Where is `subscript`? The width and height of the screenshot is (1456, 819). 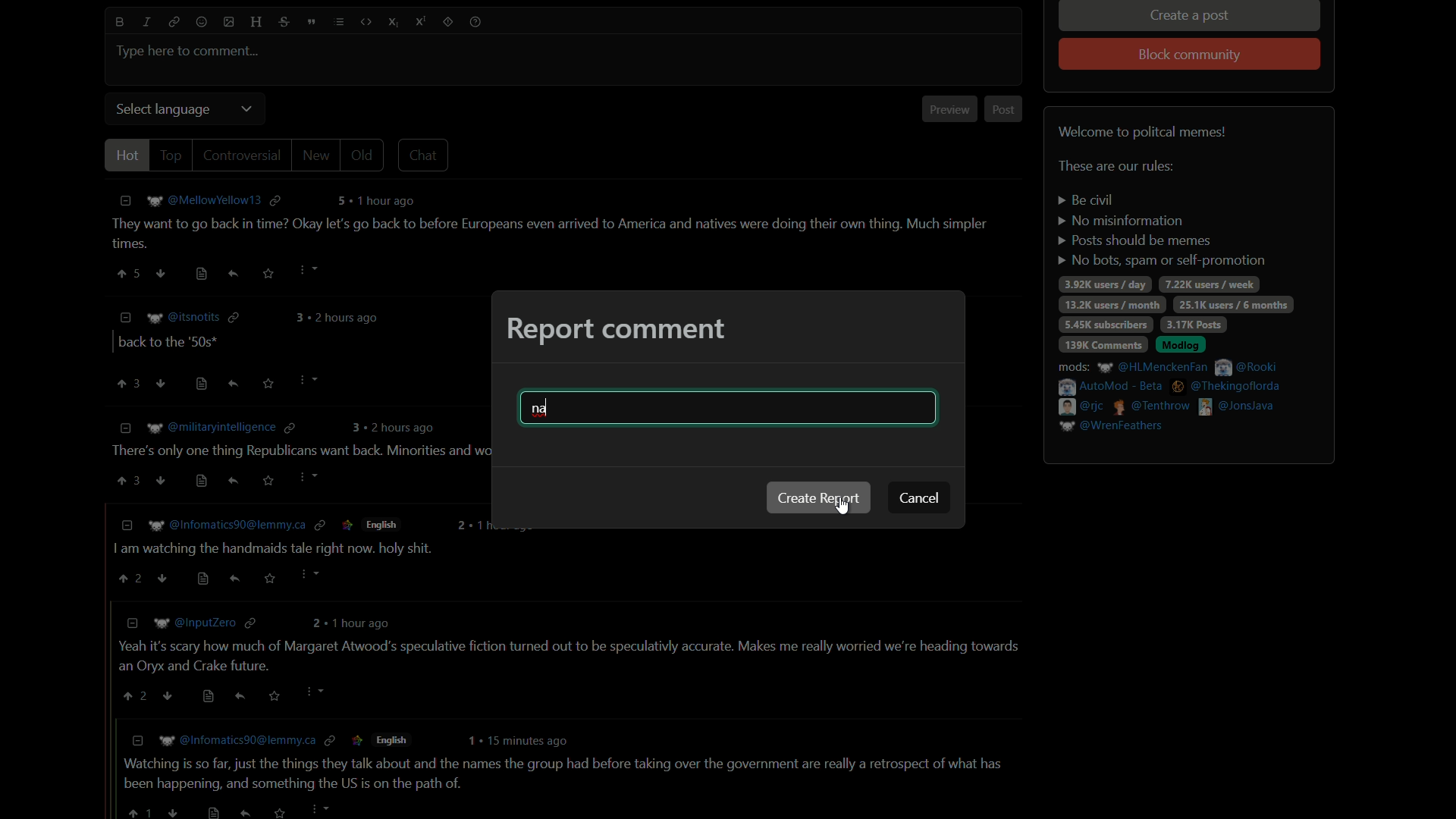
subscript is located at coordinates (394, 22).